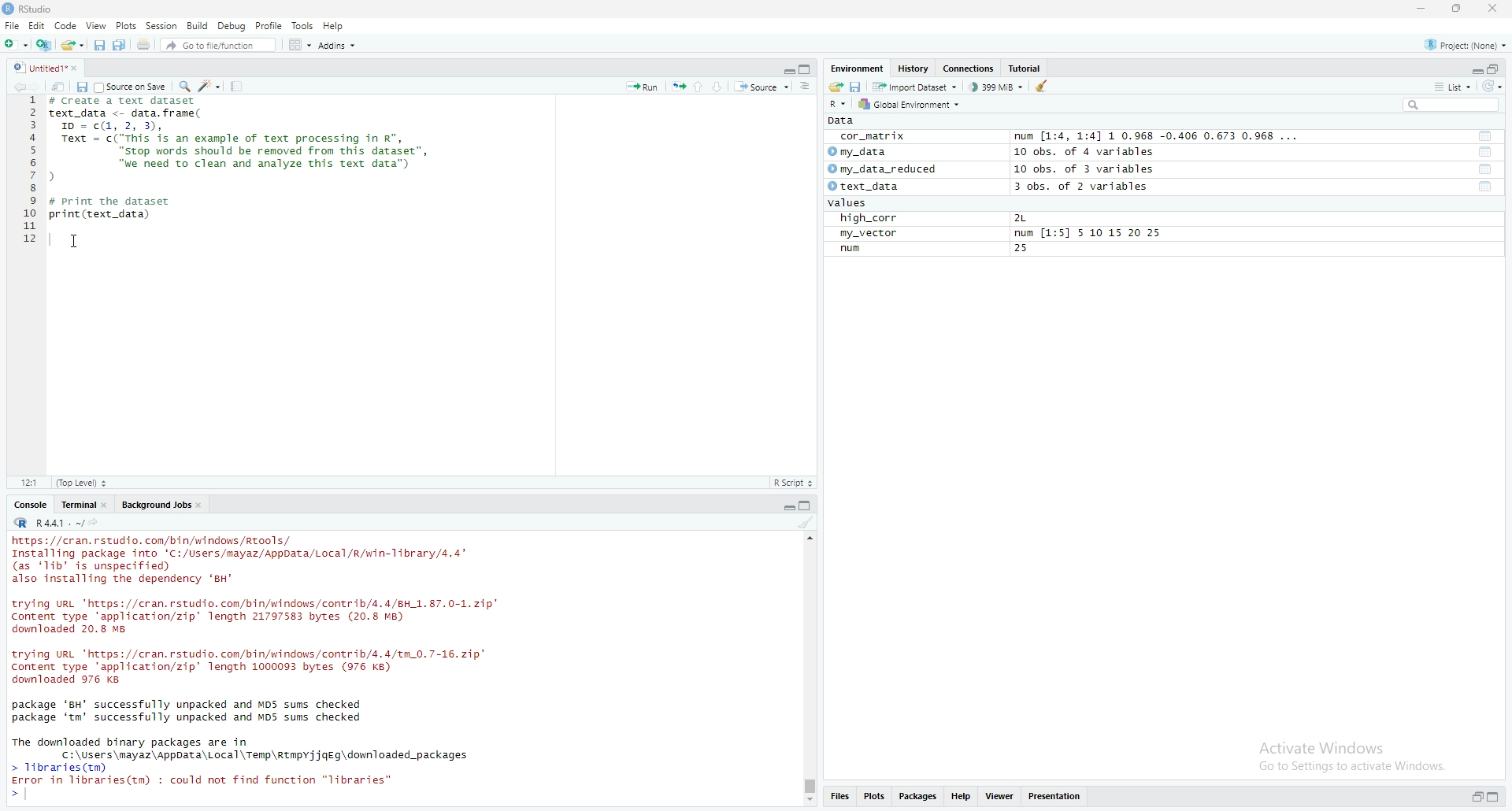 The image size is (1512, 811). What do you see at coordinates (132, 87) in the screenshot?
I see `source on save` at bounding box center [132, 87].